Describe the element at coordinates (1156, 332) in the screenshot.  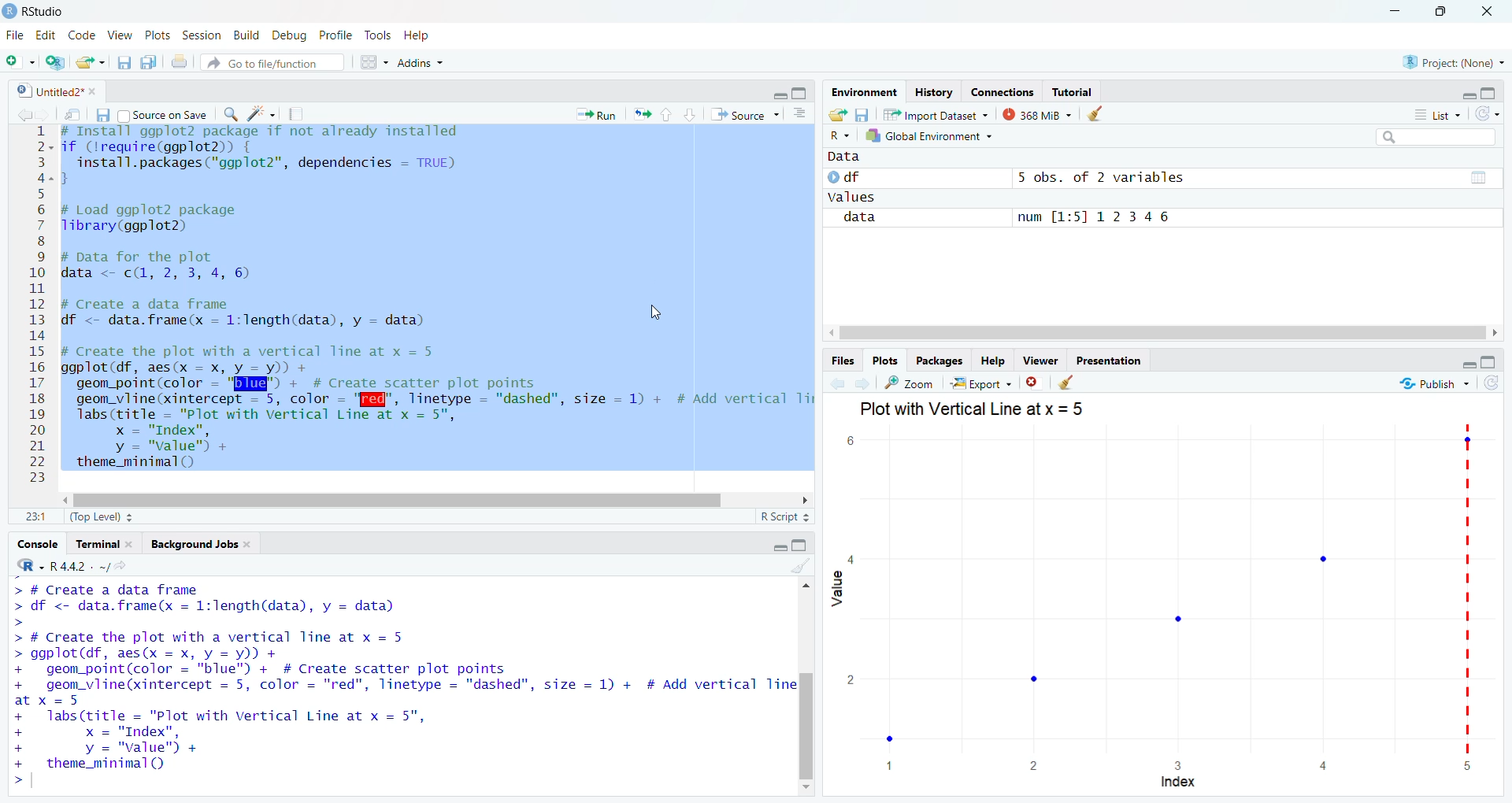
I see `scroll bar` at that location.